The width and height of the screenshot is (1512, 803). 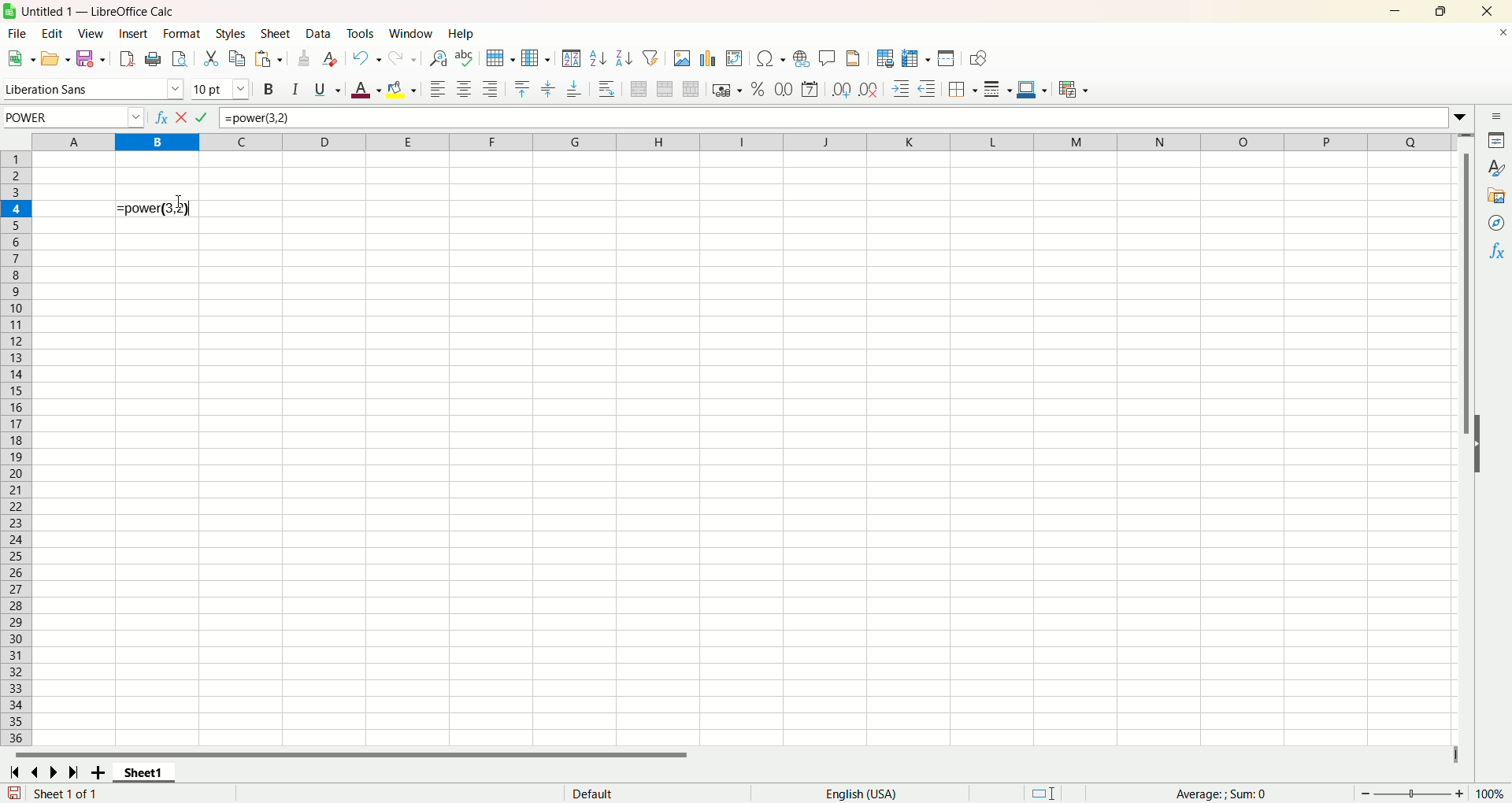 I want to click on autofilter, so click(x=654, y=58).